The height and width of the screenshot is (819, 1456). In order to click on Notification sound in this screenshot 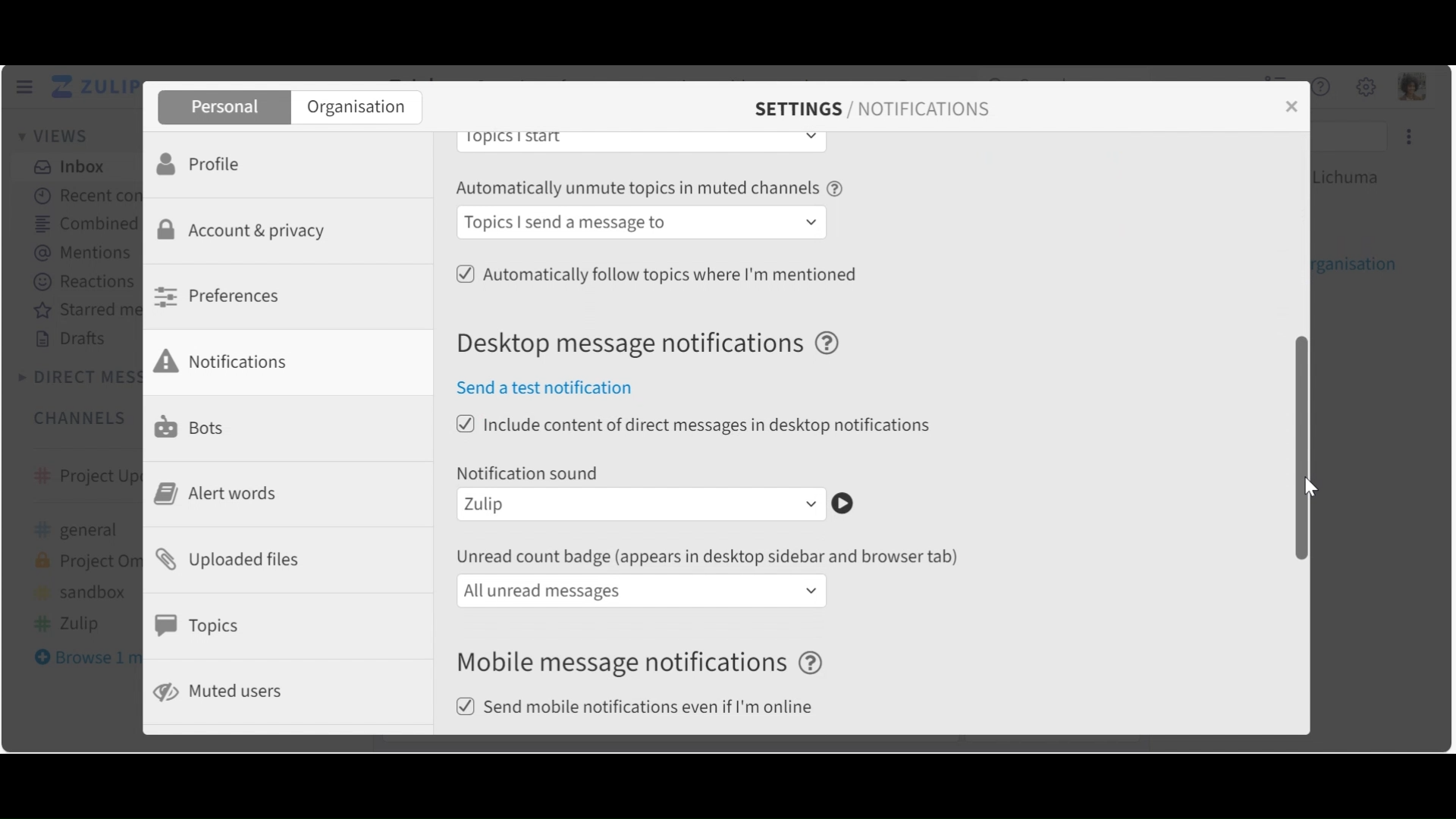, I will do `click(530, 472)`.